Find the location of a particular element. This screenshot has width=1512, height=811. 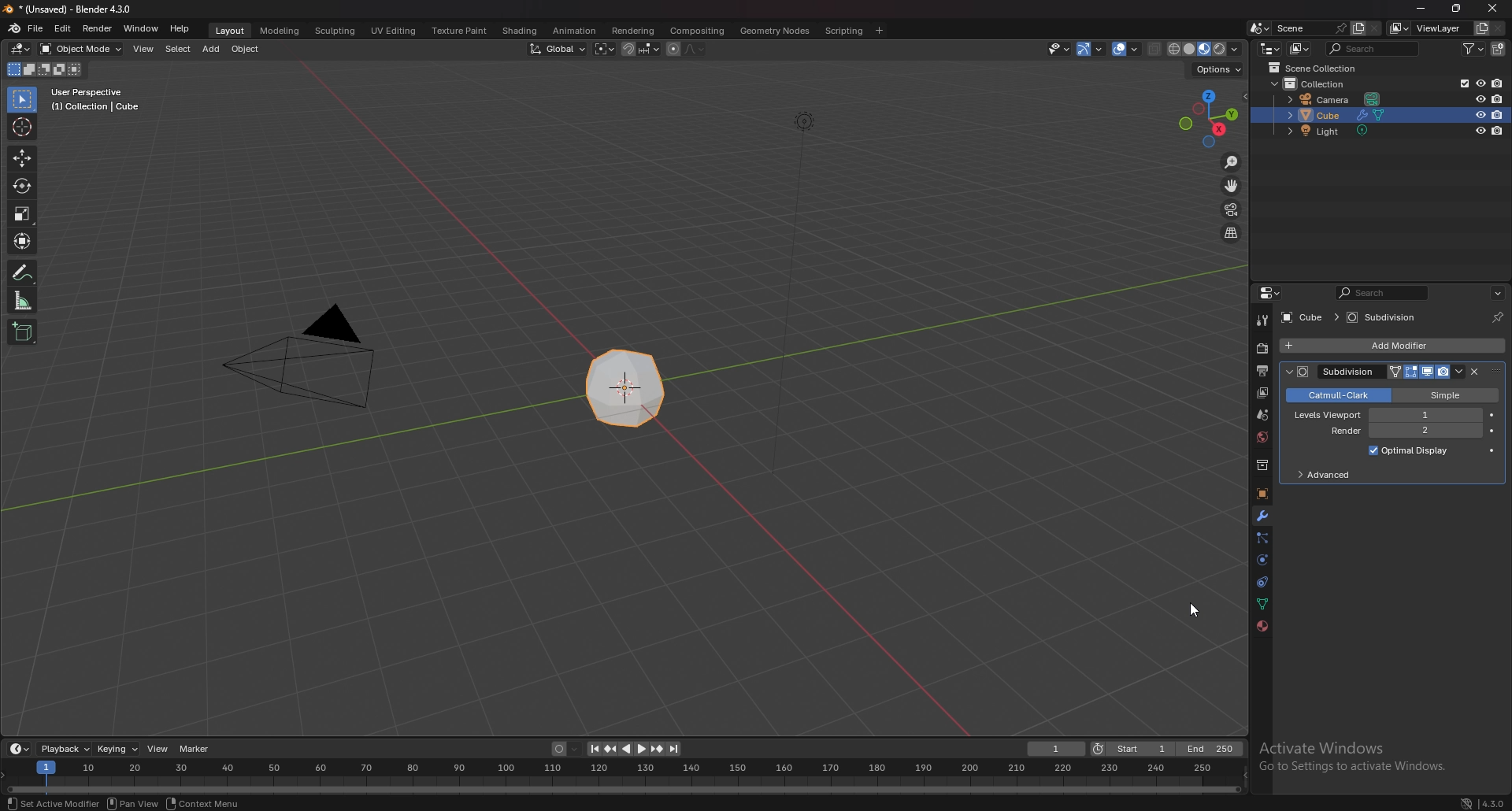

overlay is located at coordinates (1128, 49).